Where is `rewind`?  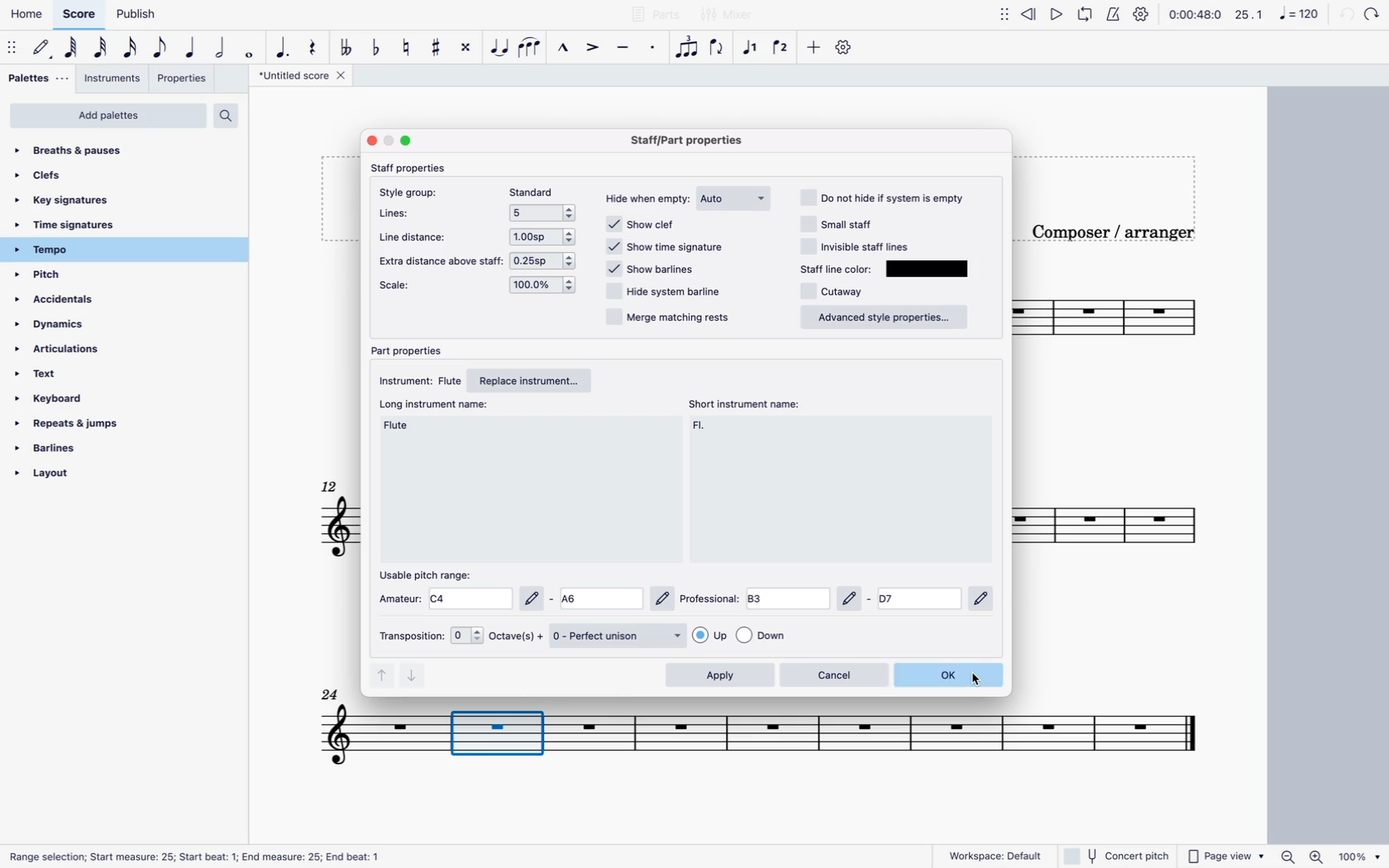 rewind is located at coordinates (1030, 13).